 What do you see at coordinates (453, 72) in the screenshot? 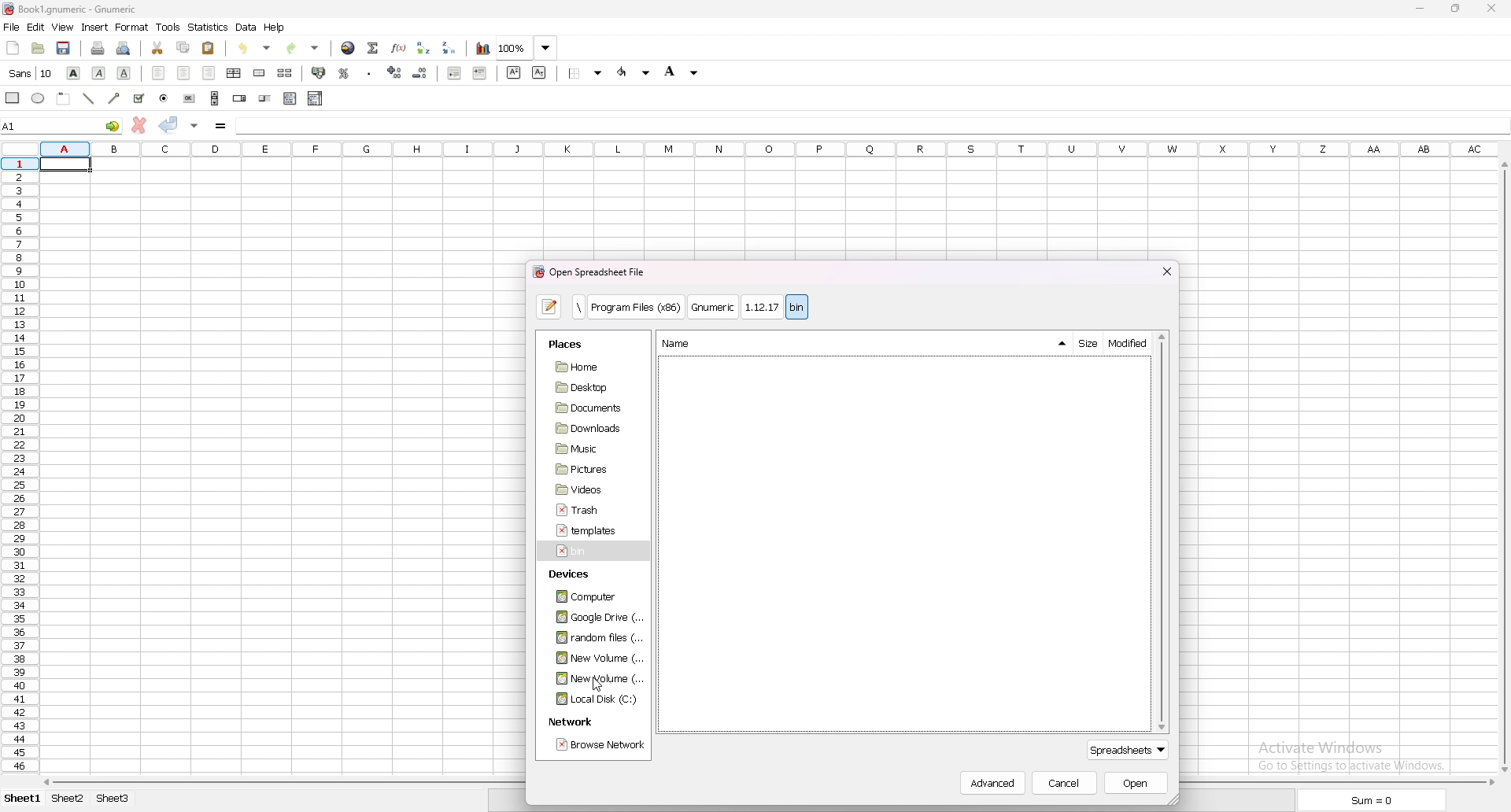
I see `decrease indent` at bounding box center [453, 72].